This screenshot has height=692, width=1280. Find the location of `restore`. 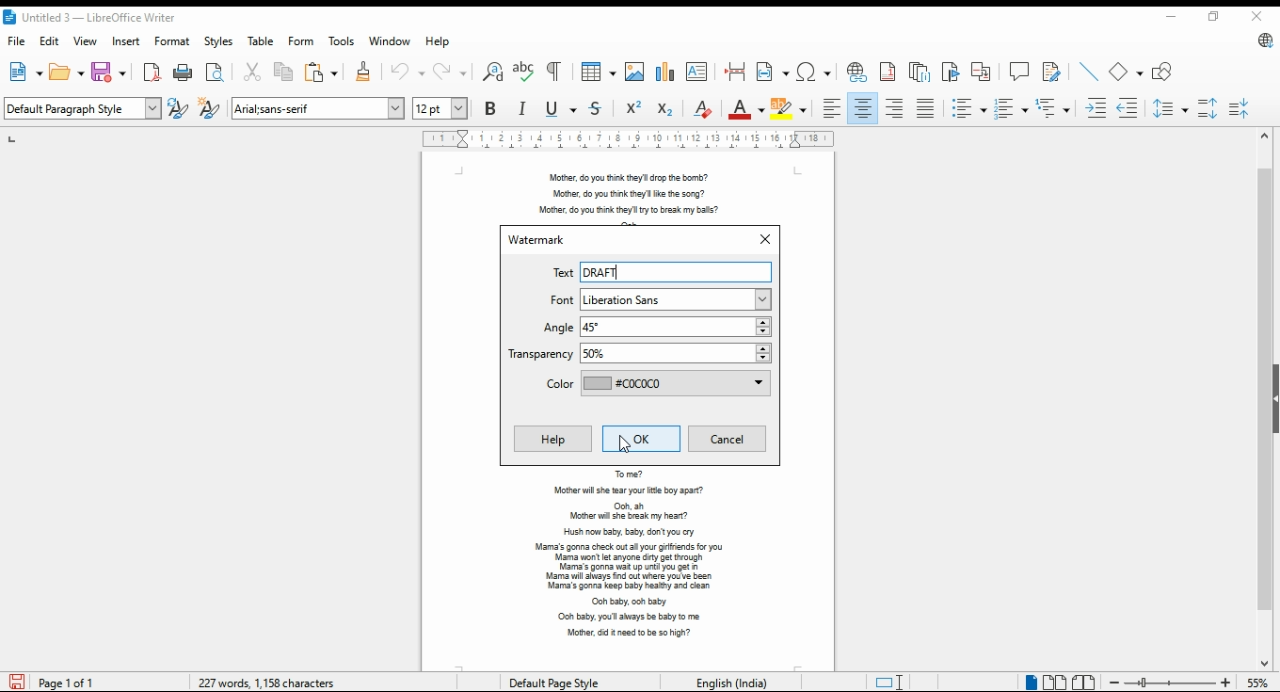

restore is located at coordinates (1211, 17).